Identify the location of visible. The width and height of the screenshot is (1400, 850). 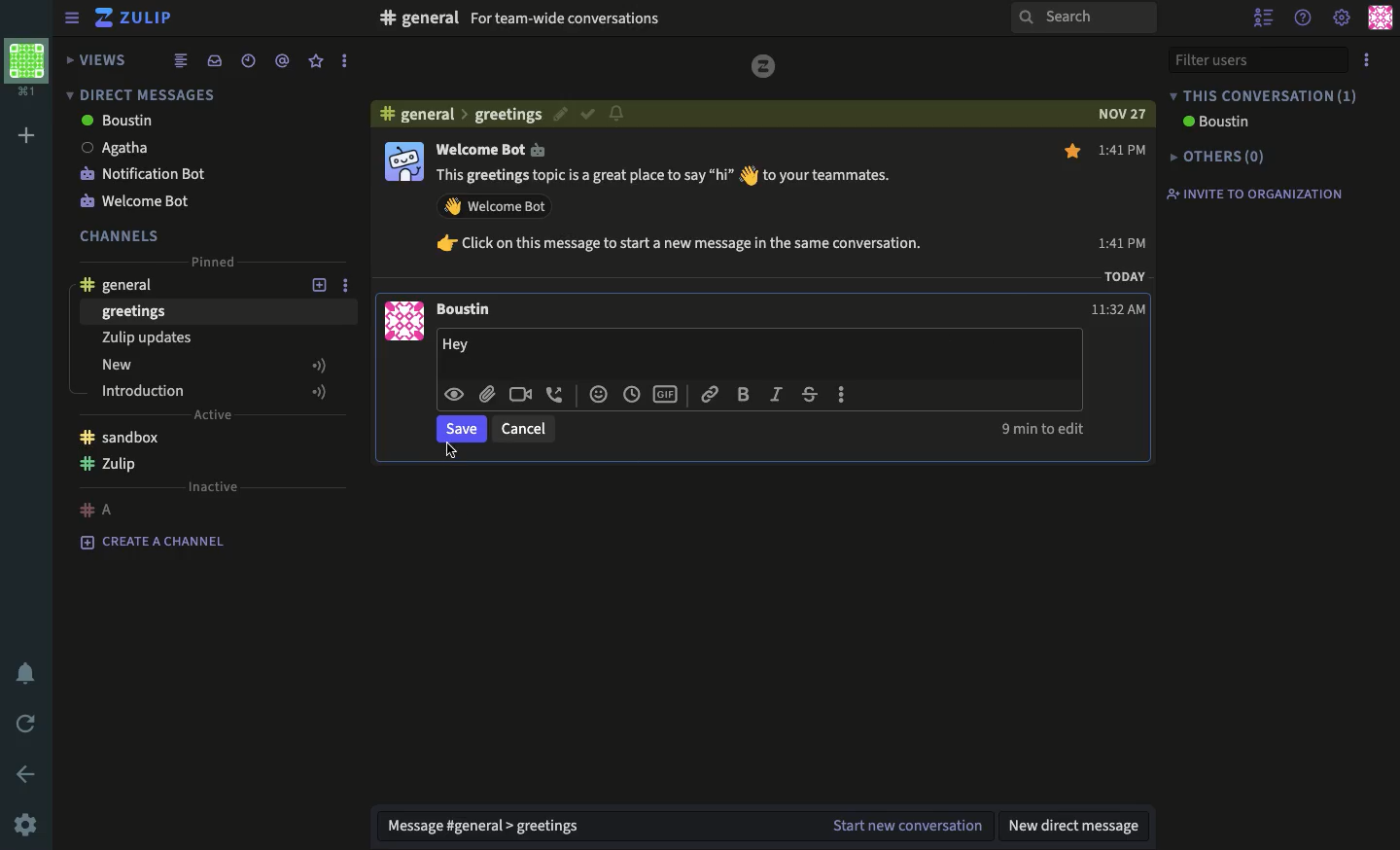
(454, 397).